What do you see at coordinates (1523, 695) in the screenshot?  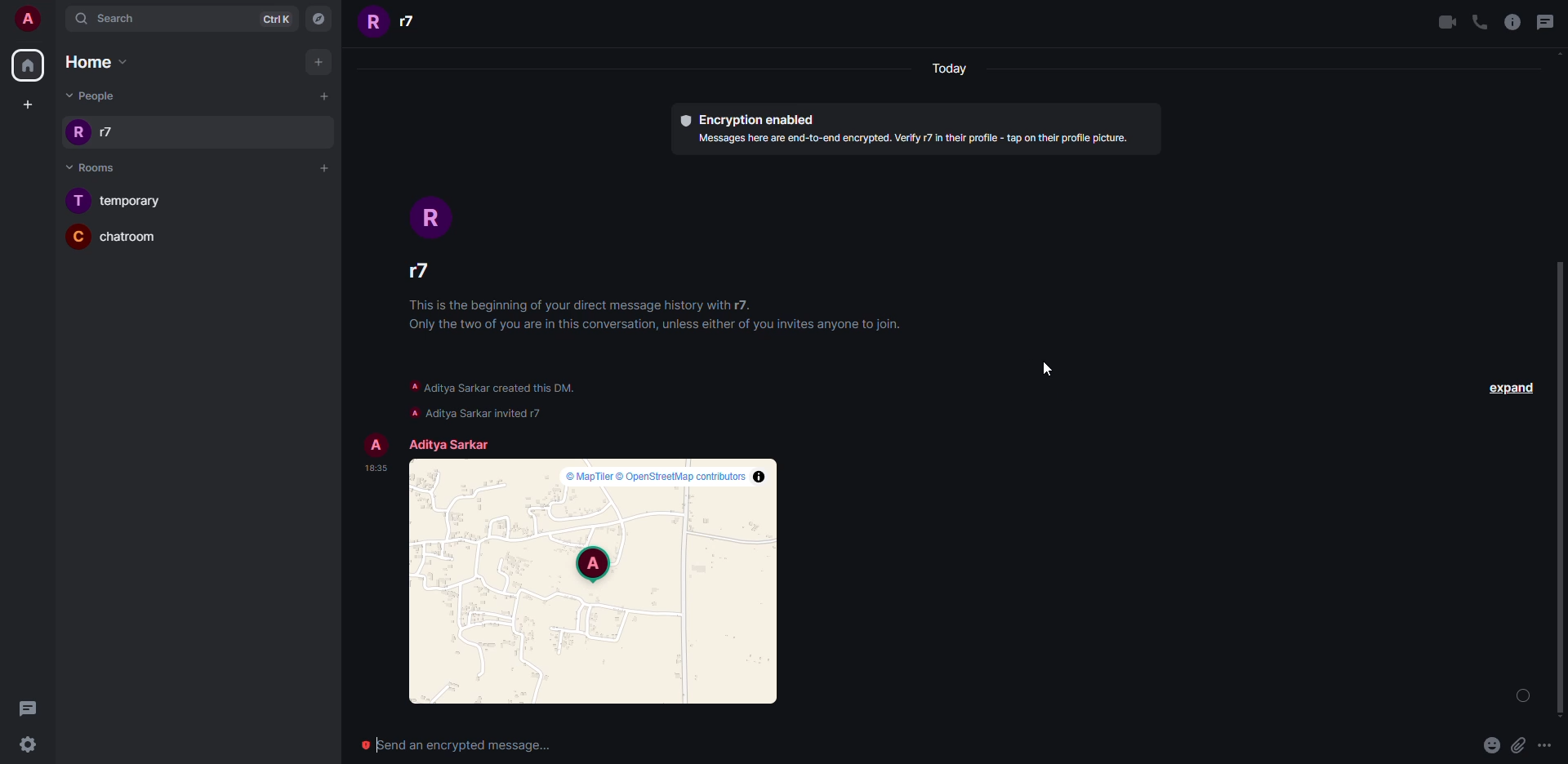 I see `loading` at bounding box center [1523, 695].